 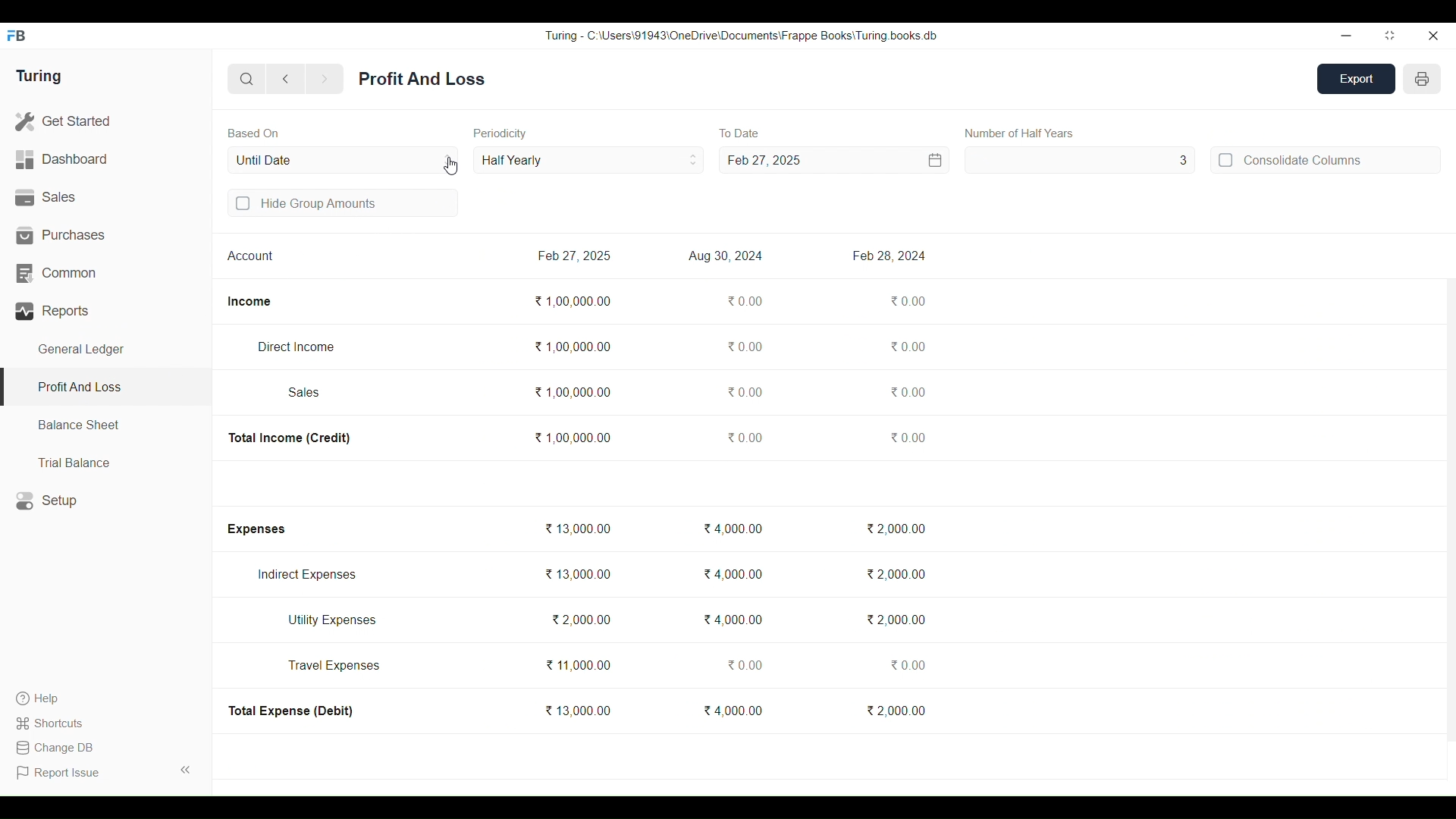 What do you see at coordinates (1390, 36) in the screenshot?
I see `Change dimension` at bounding box center [1390, 36].